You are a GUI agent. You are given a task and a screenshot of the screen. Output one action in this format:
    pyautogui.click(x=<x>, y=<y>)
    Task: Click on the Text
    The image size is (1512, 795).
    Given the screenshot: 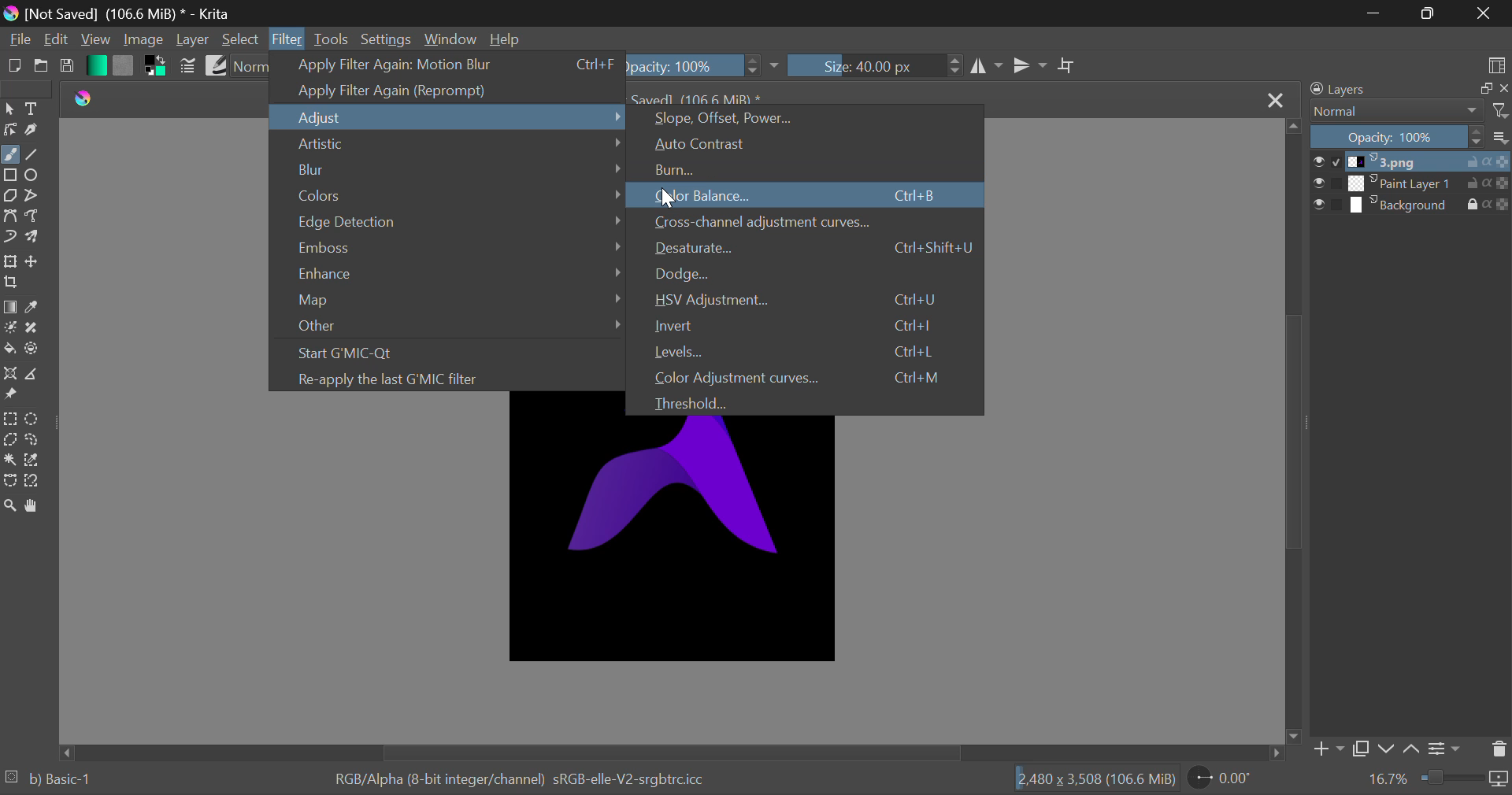 What is the action you would take?
    pyautogui.click(x=33, y=108)
    